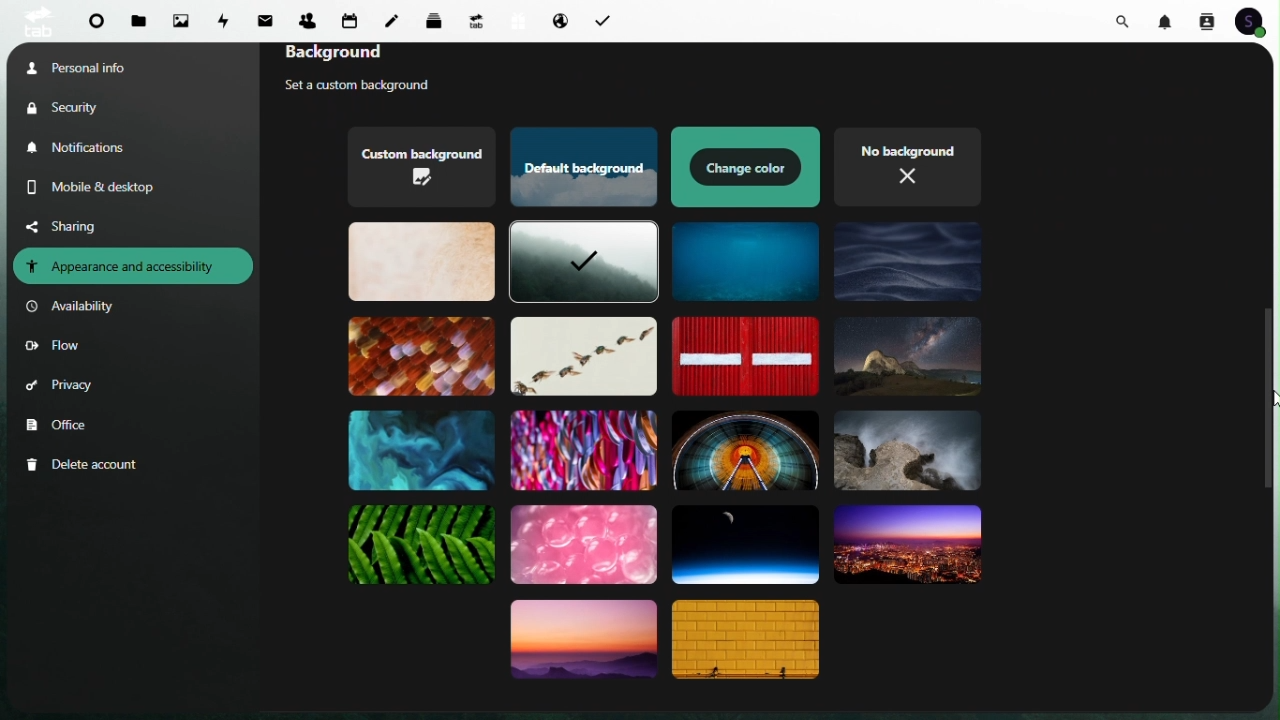 The image size is (1280, 720). Describe the element at coordinates (133, 266) in the screenshot. I see `Appearance and visibility` at that location.